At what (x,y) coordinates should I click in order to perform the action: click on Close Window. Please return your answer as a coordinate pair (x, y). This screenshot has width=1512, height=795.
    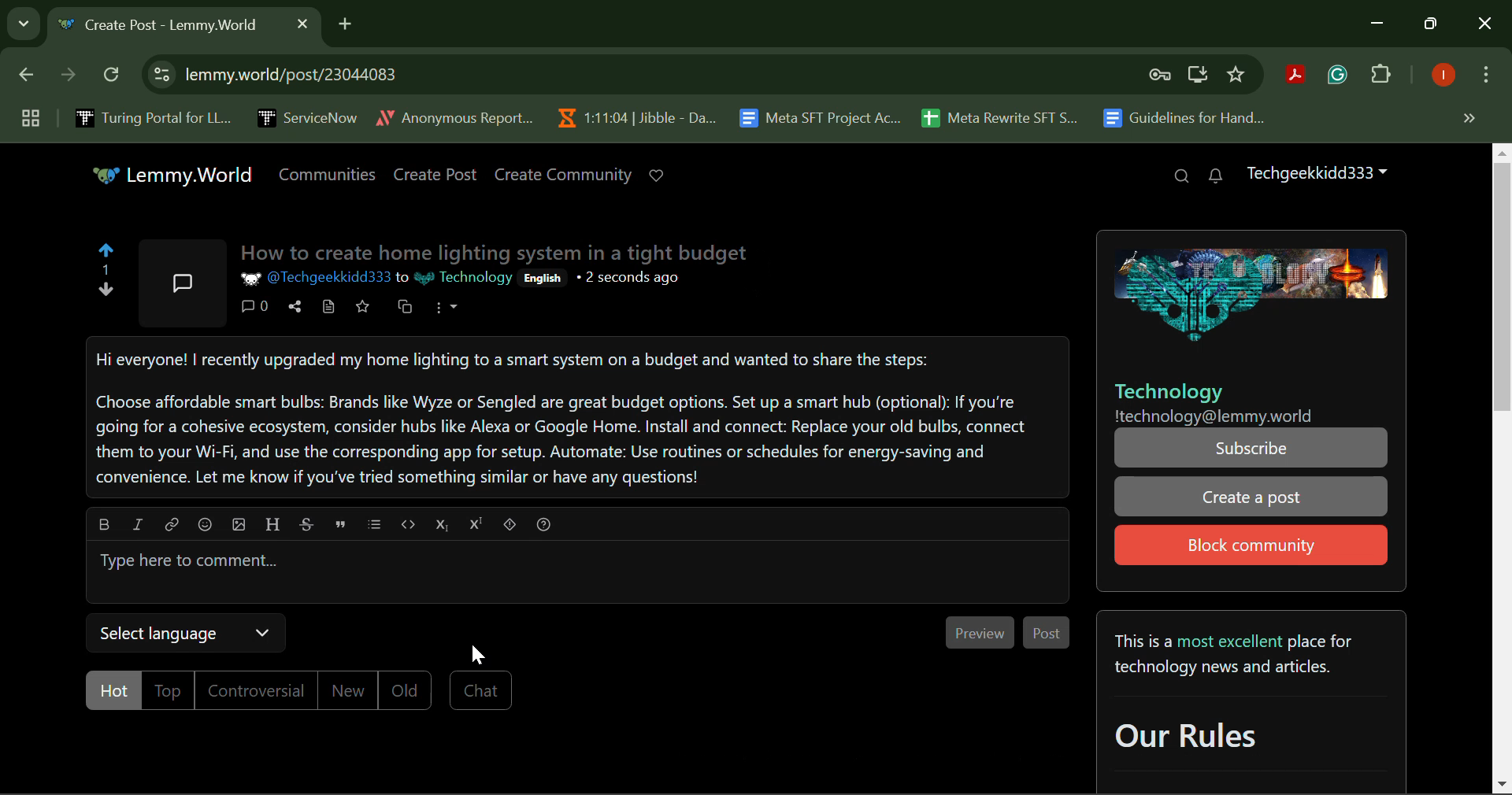
    Looking at the image, I should click on (1485, 25).